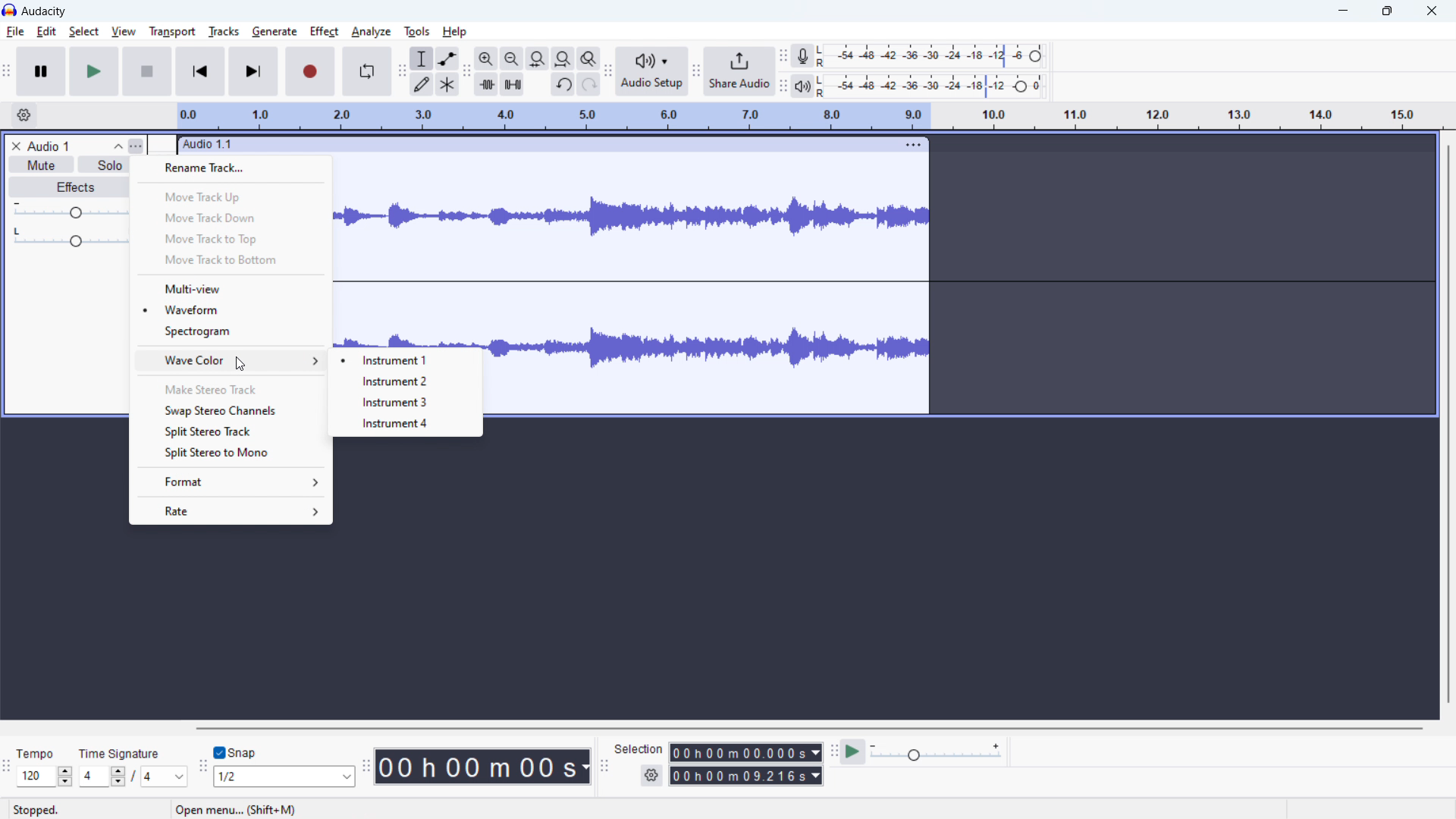 This screenshot has width=1456, height=819. I want to click on recording meter, so click(800, 56).